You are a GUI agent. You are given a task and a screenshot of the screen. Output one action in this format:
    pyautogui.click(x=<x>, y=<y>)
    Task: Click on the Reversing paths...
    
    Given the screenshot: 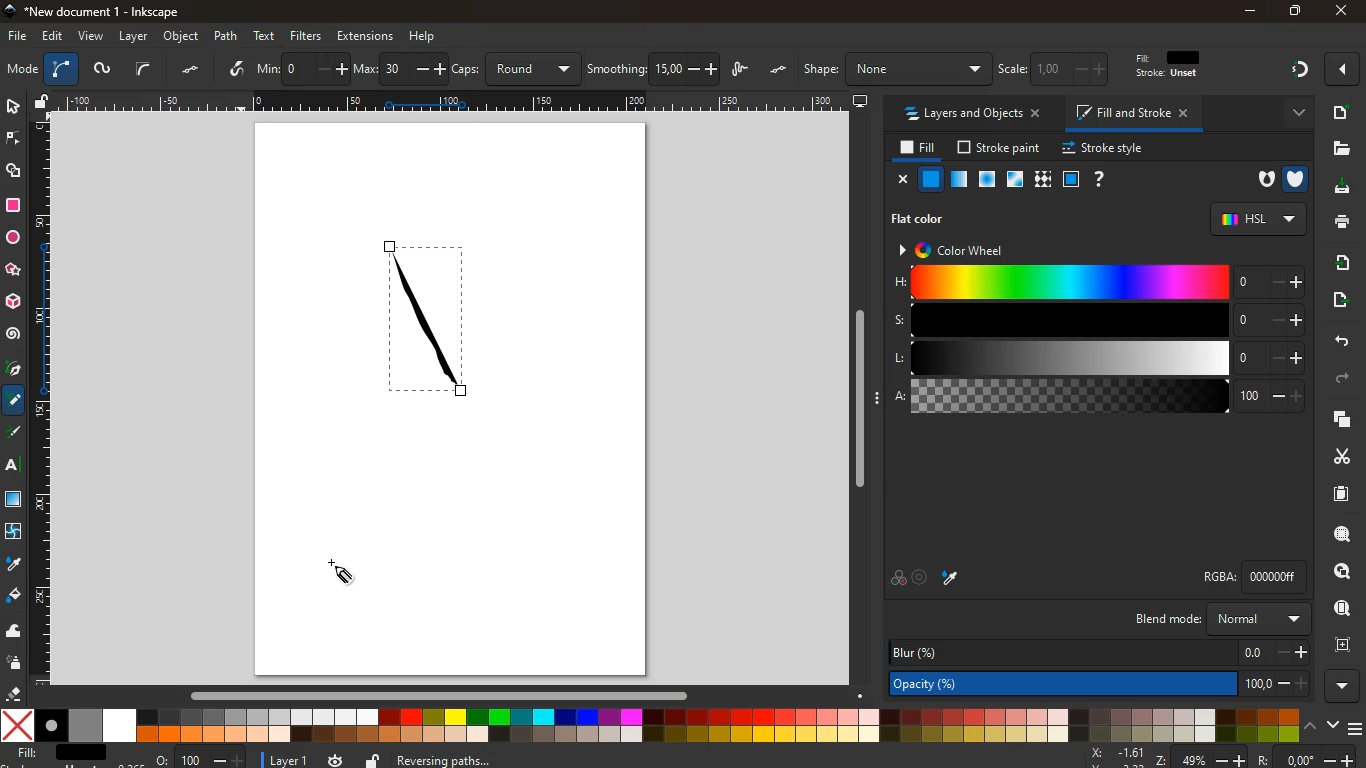 What is the action you would take?
    pyautogui.click(x=448, y=759)
    